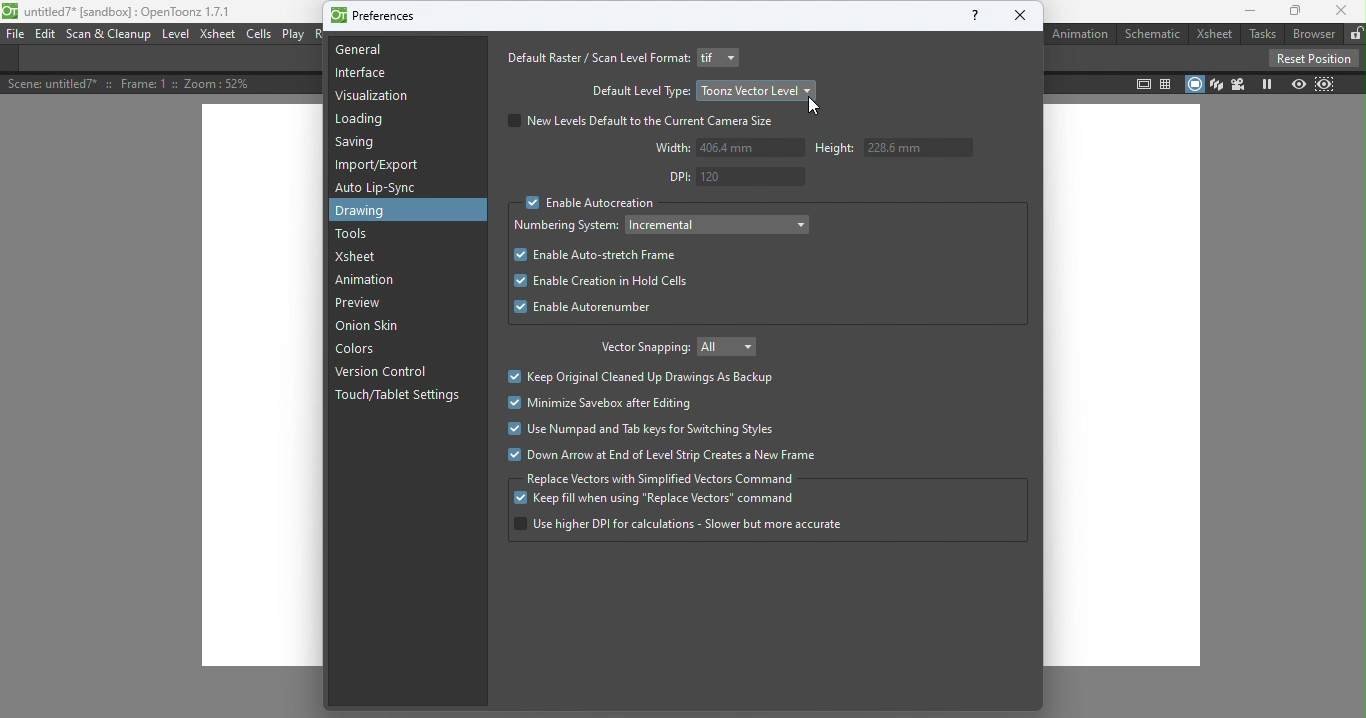  What do you see at coordinates (734, 177) in the screenshot?
I see `DPI` at bounding box center [734, 177].